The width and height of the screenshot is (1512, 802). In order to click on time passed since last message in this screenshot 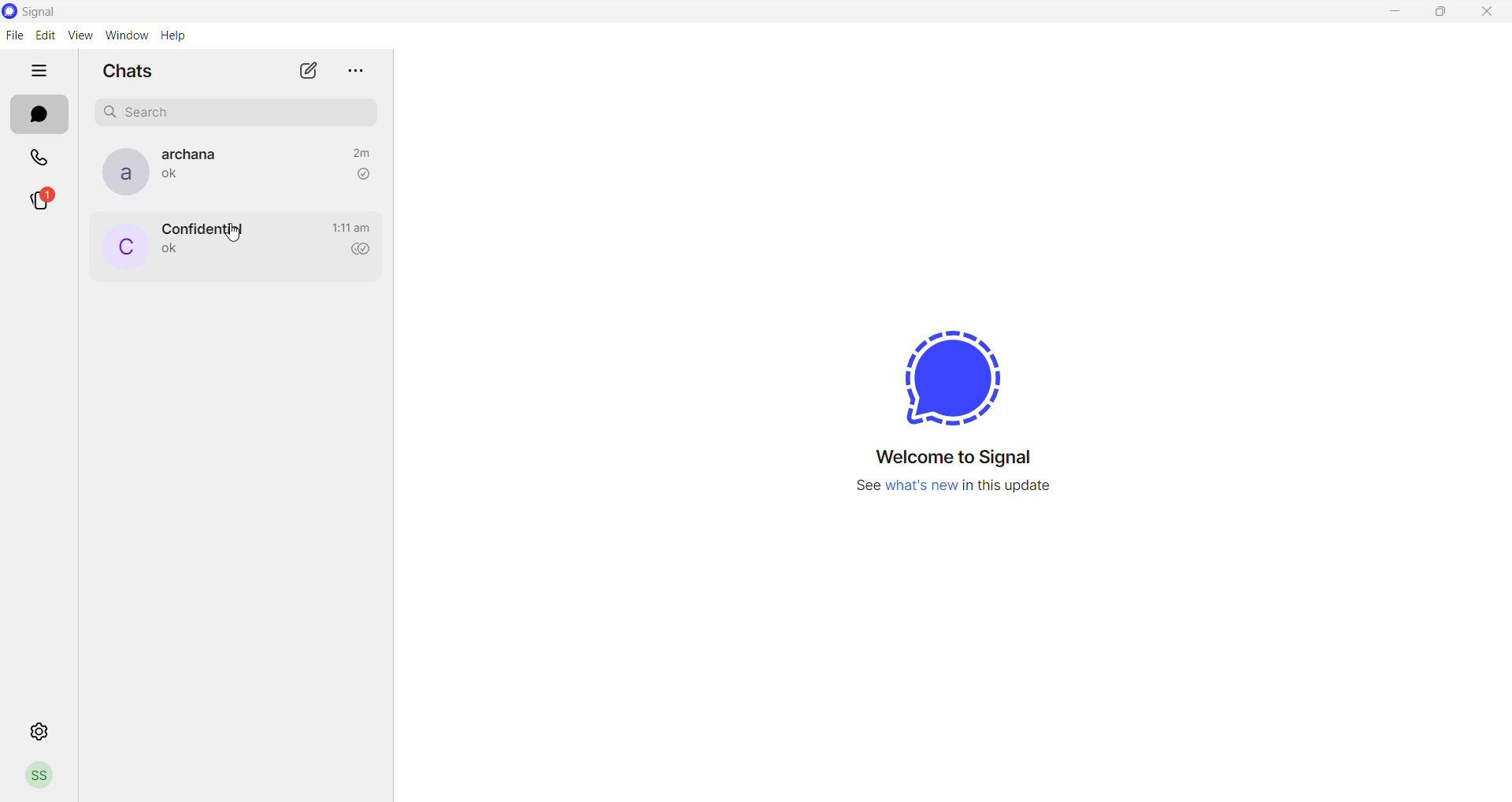, I will do `click(361, 150)`.